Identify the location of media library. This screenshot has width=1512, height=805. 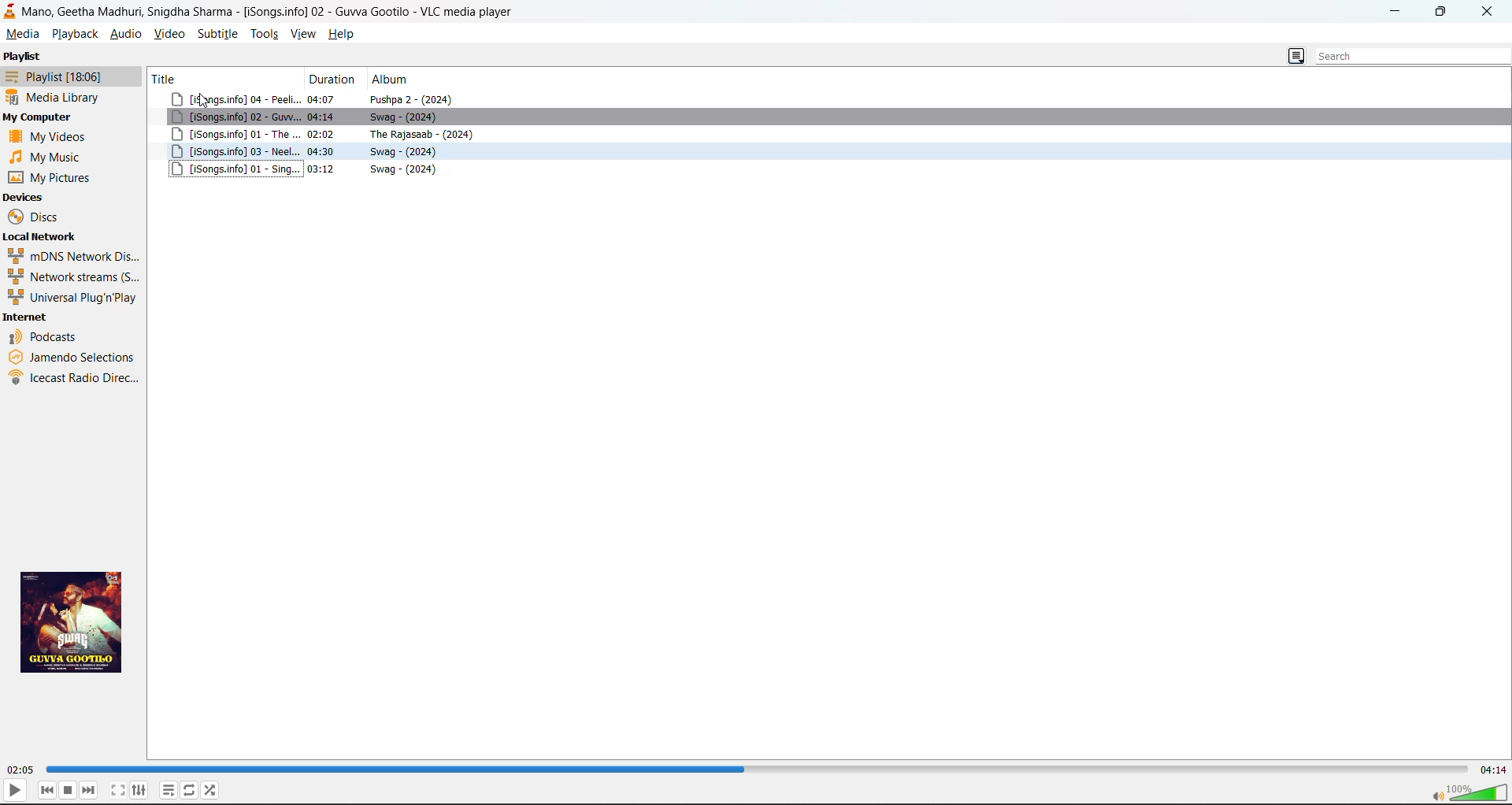
(57, 97).